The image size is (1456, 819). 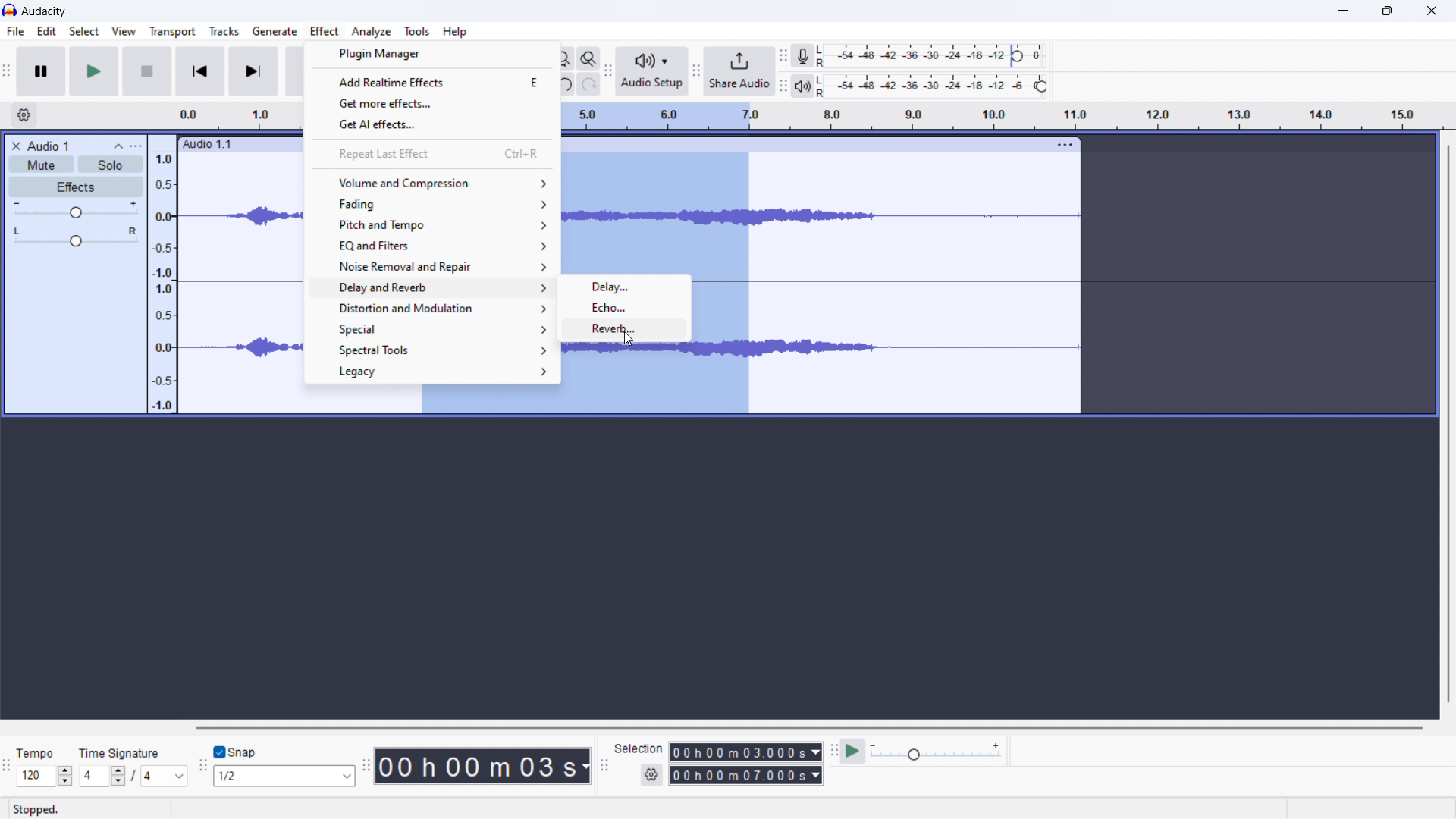 What do you see at coordinates (430, 99) in the screenshot?
I see `get more effects..` at bounding box center [430, 99].